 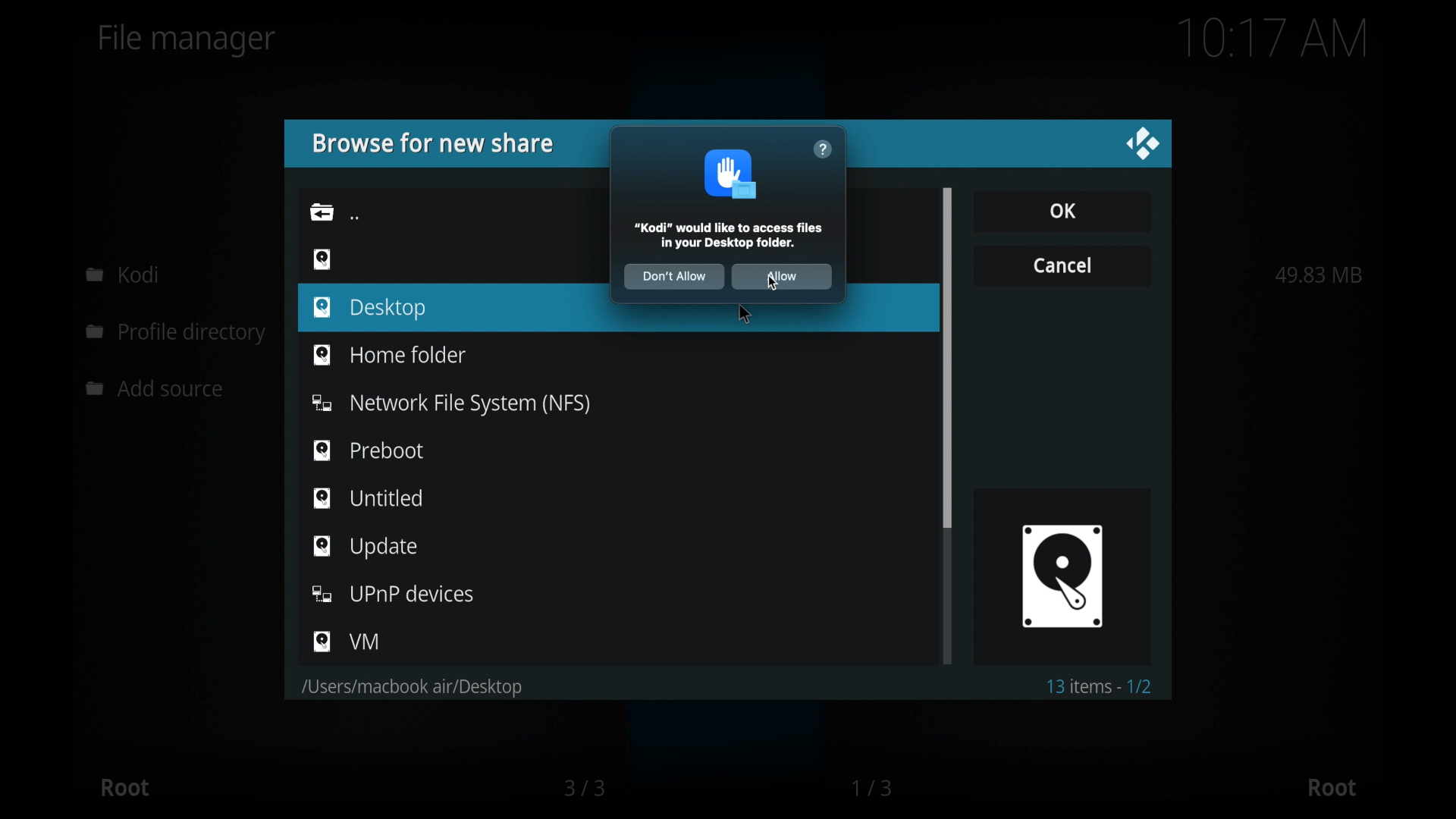 I want to click on cancel, so click(x=1062, y=264).